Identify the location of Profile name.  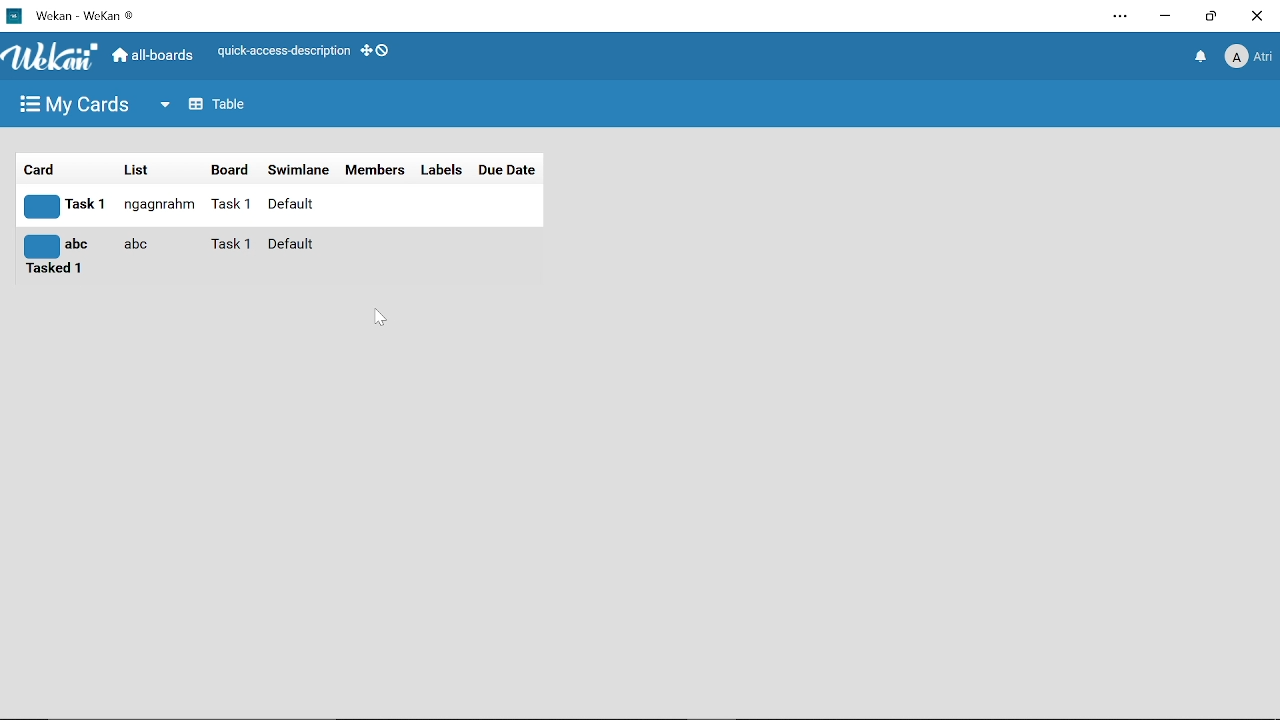
(1248, 61).